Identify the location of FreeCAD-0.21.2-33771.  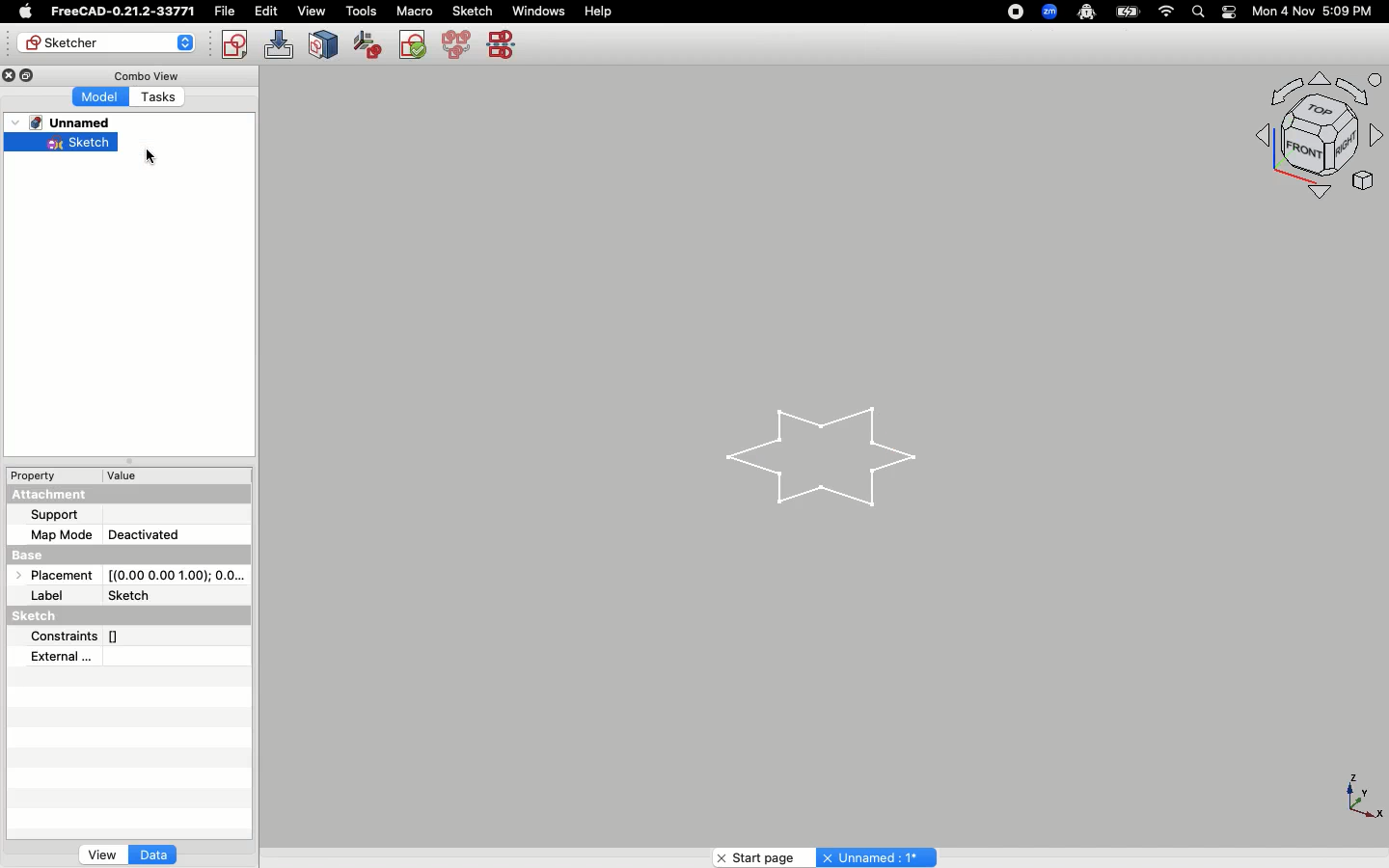
(123, 12).